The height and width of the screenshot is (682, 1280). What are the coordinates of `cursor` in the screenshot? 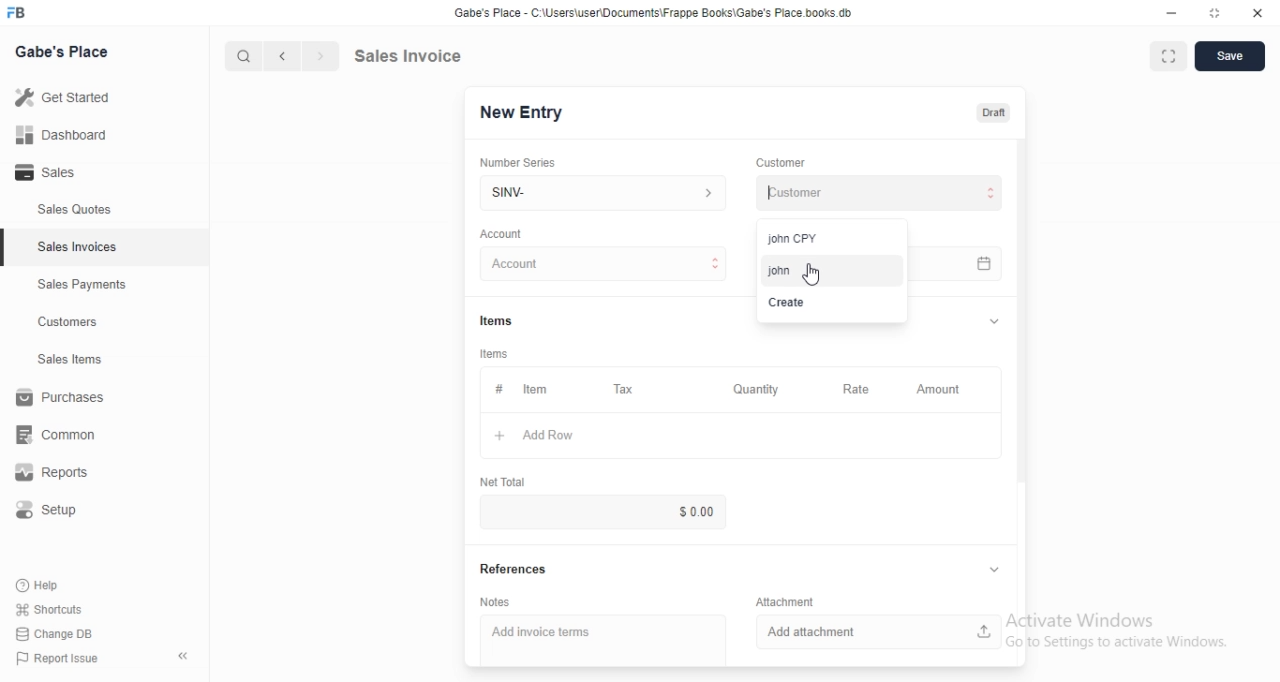 It's located at (234, 56).